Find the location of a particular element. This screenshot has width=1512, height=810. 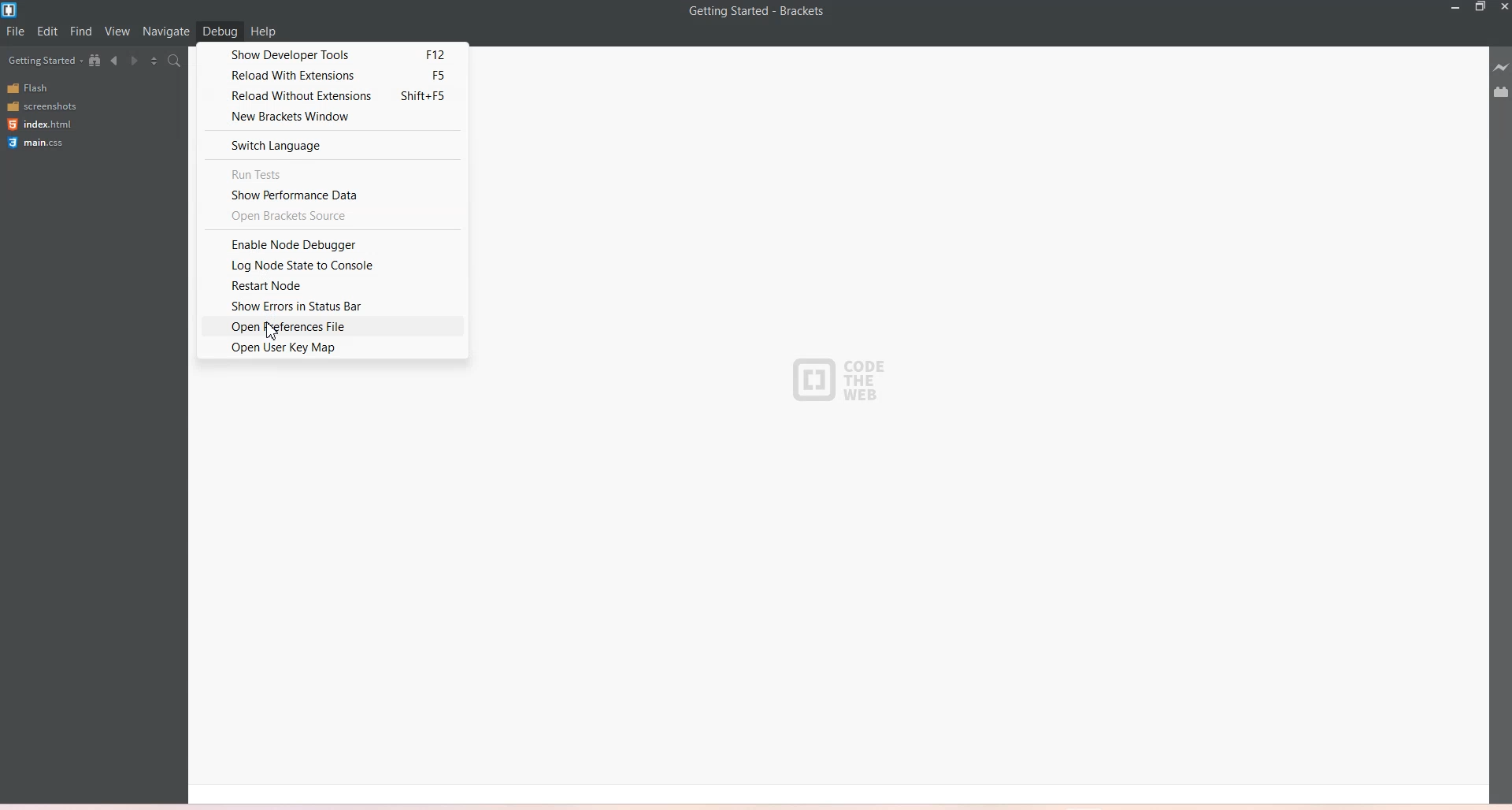

Switch language is located at coordinates (335, 145).